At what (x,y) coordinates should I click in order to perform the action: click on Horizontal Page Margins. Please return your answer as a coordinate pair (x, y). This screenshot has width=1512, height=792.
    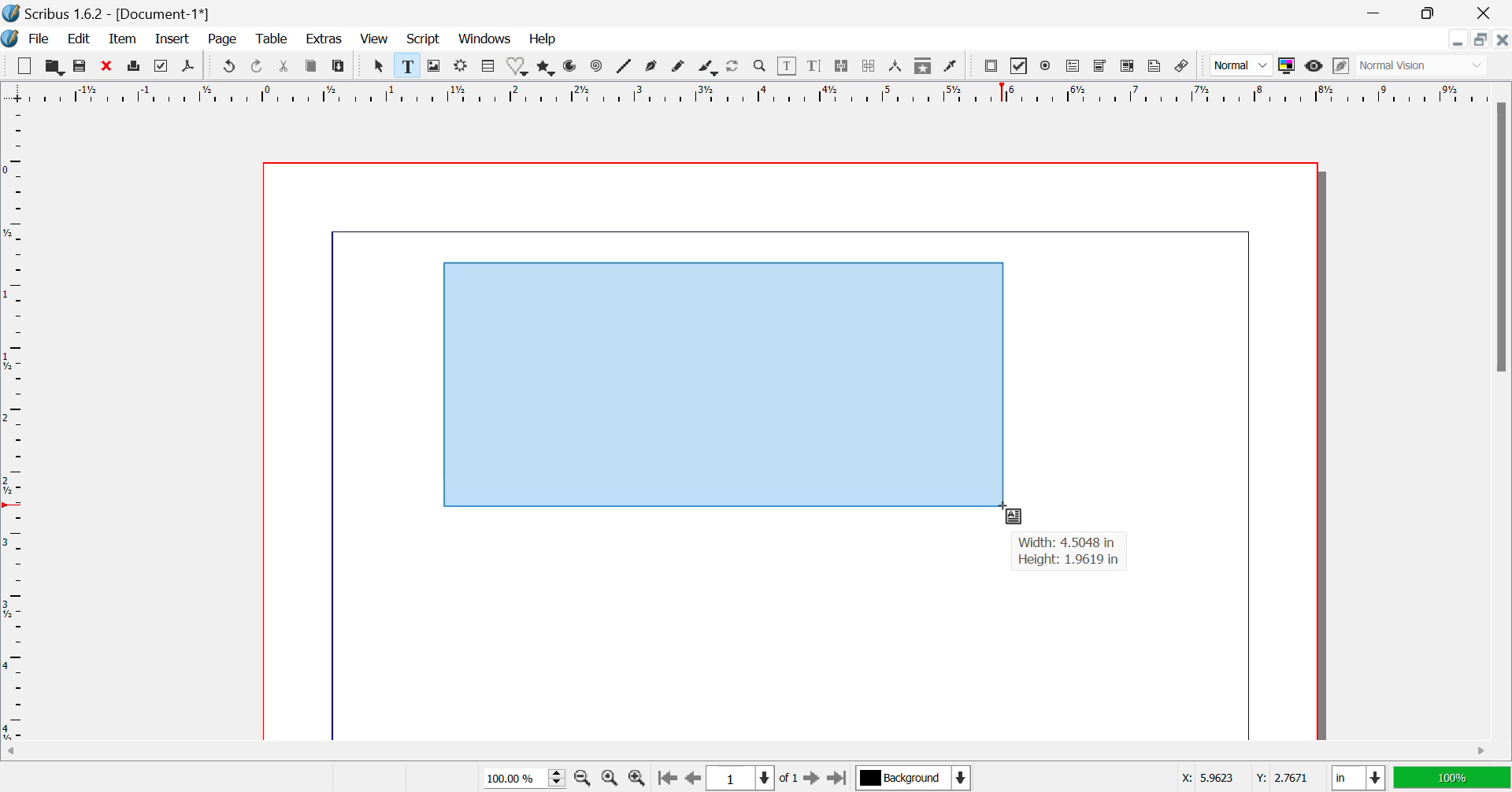
    Looking at the image, I should click on (19, 425).